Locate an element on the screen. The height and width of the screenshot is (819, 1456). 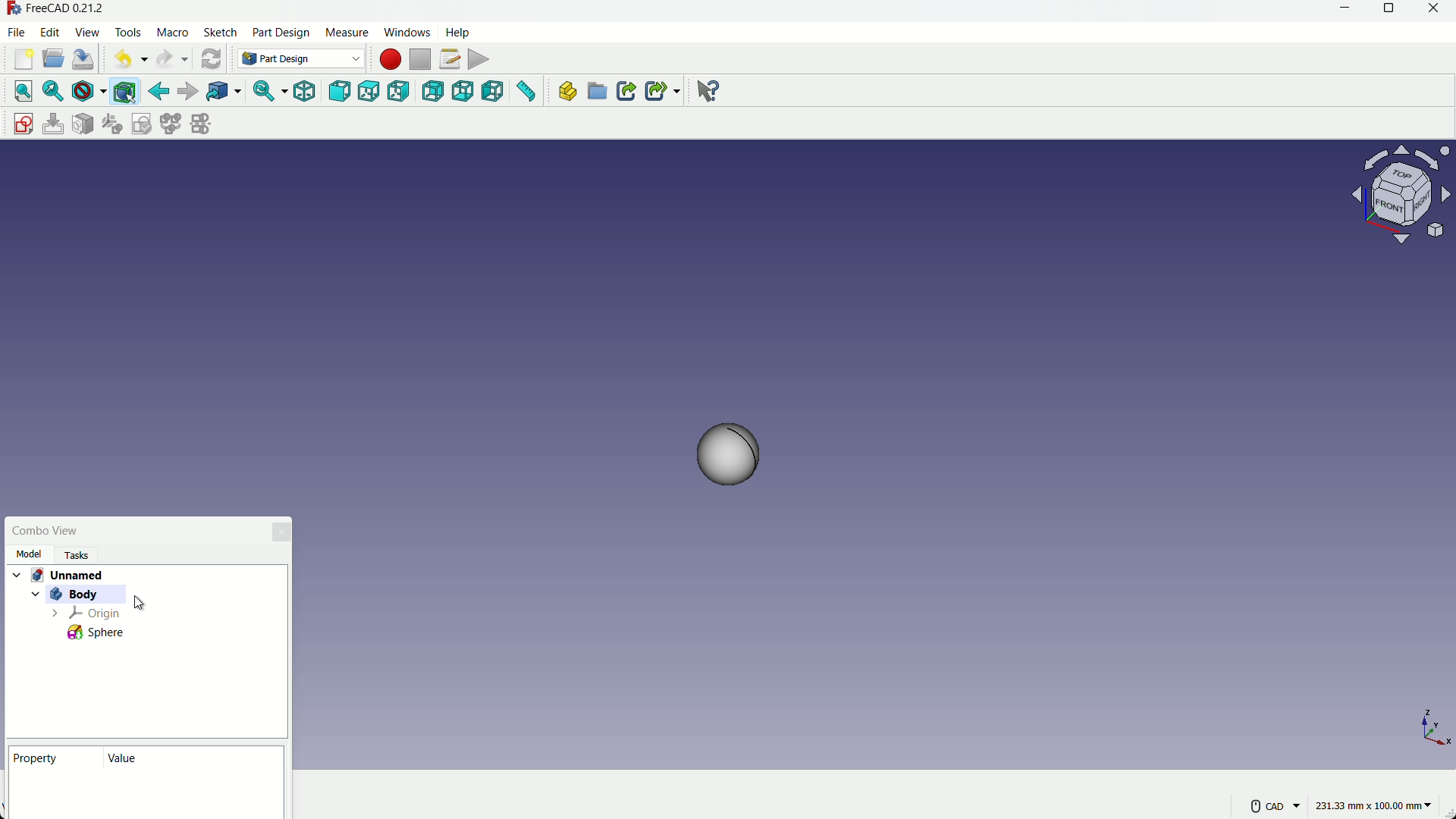
create link is located at coordinates (626, 91).